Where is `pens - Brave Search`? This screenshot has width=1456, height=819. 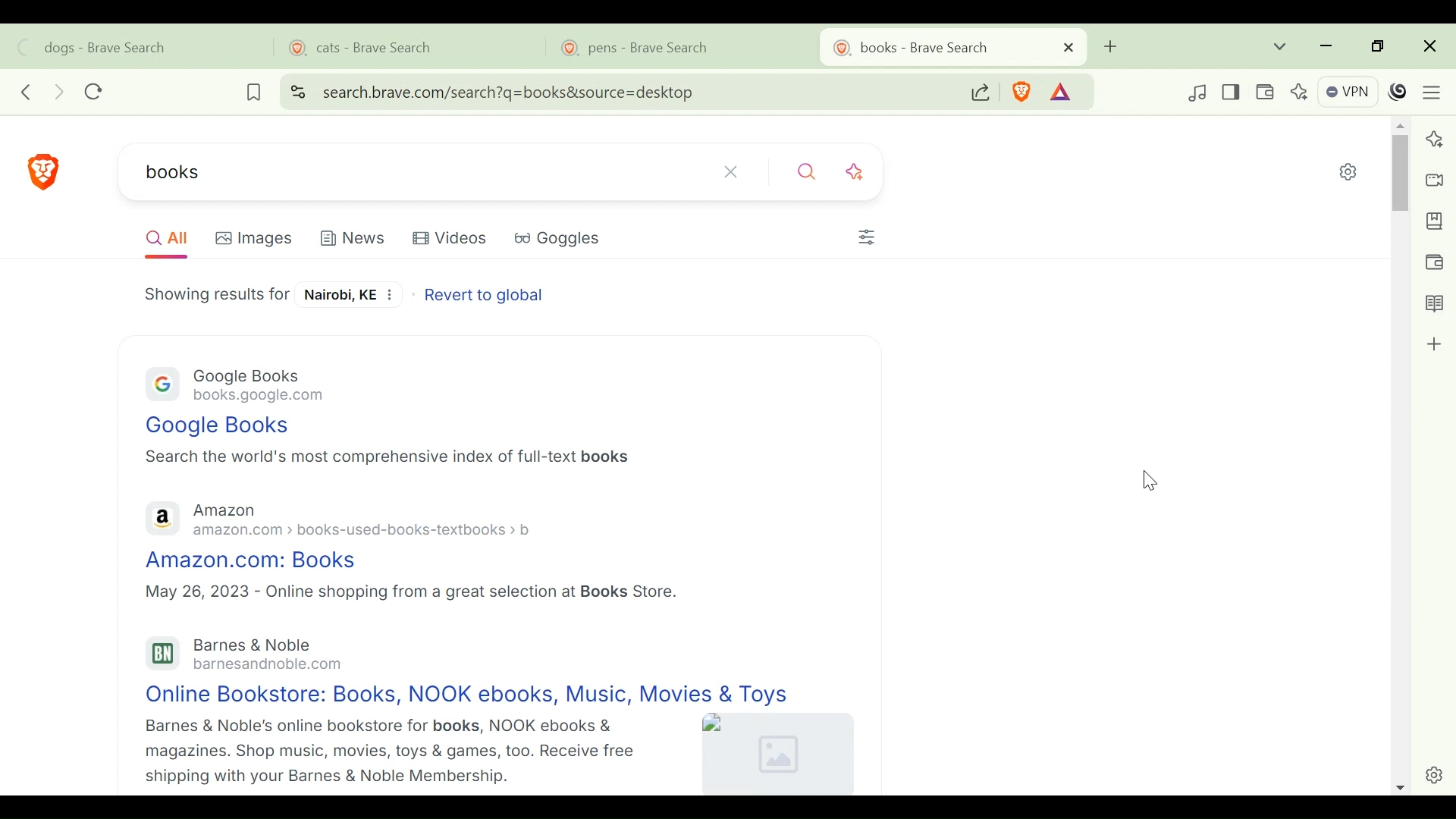
pens - Brave Search is located at coordinates (667, 50).